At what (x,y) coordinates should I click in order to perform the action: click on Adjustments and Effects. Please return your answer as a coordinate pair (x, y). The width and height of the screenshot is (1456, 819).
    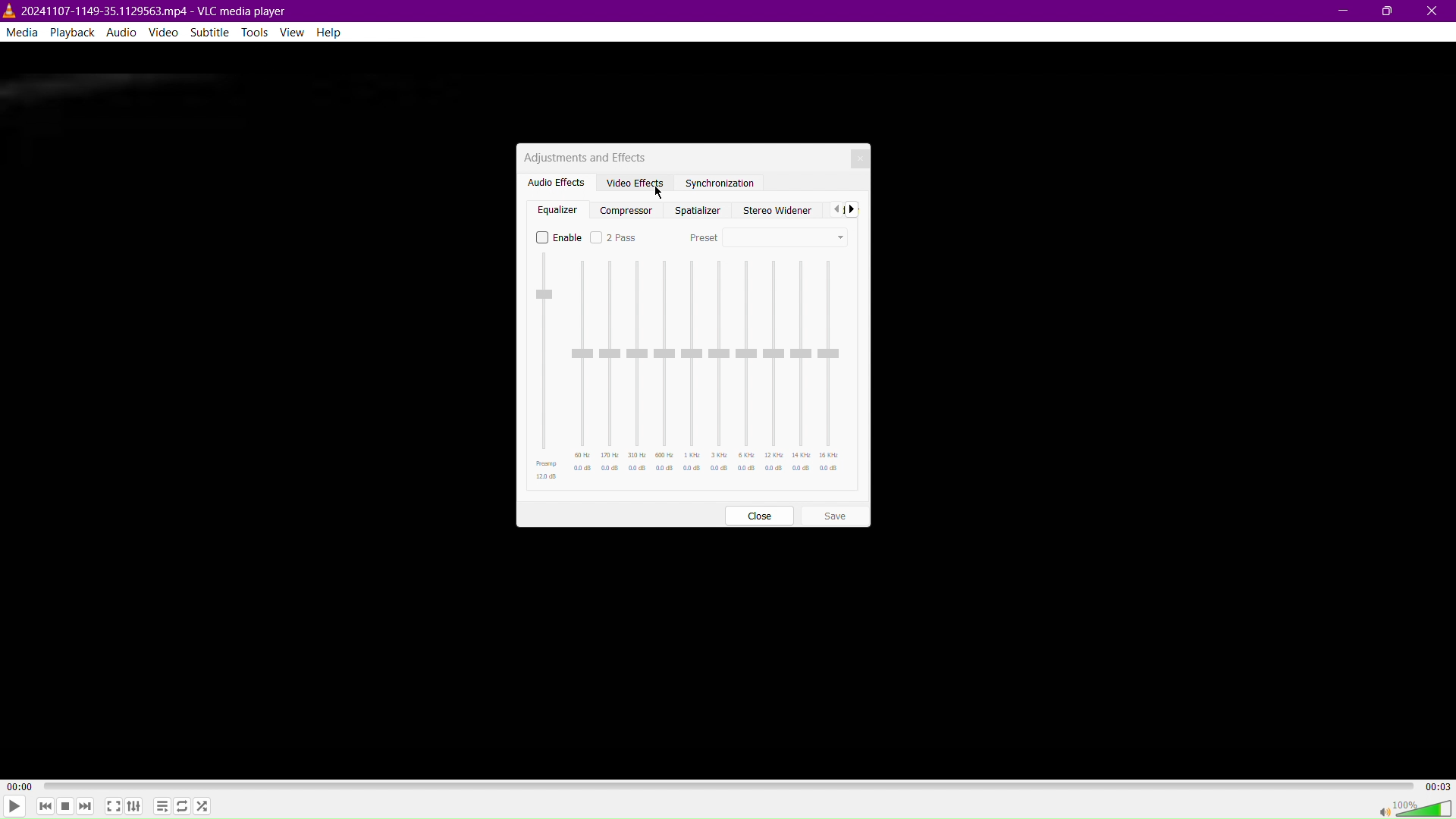
    Looking at the image, I should click on (583, 156).